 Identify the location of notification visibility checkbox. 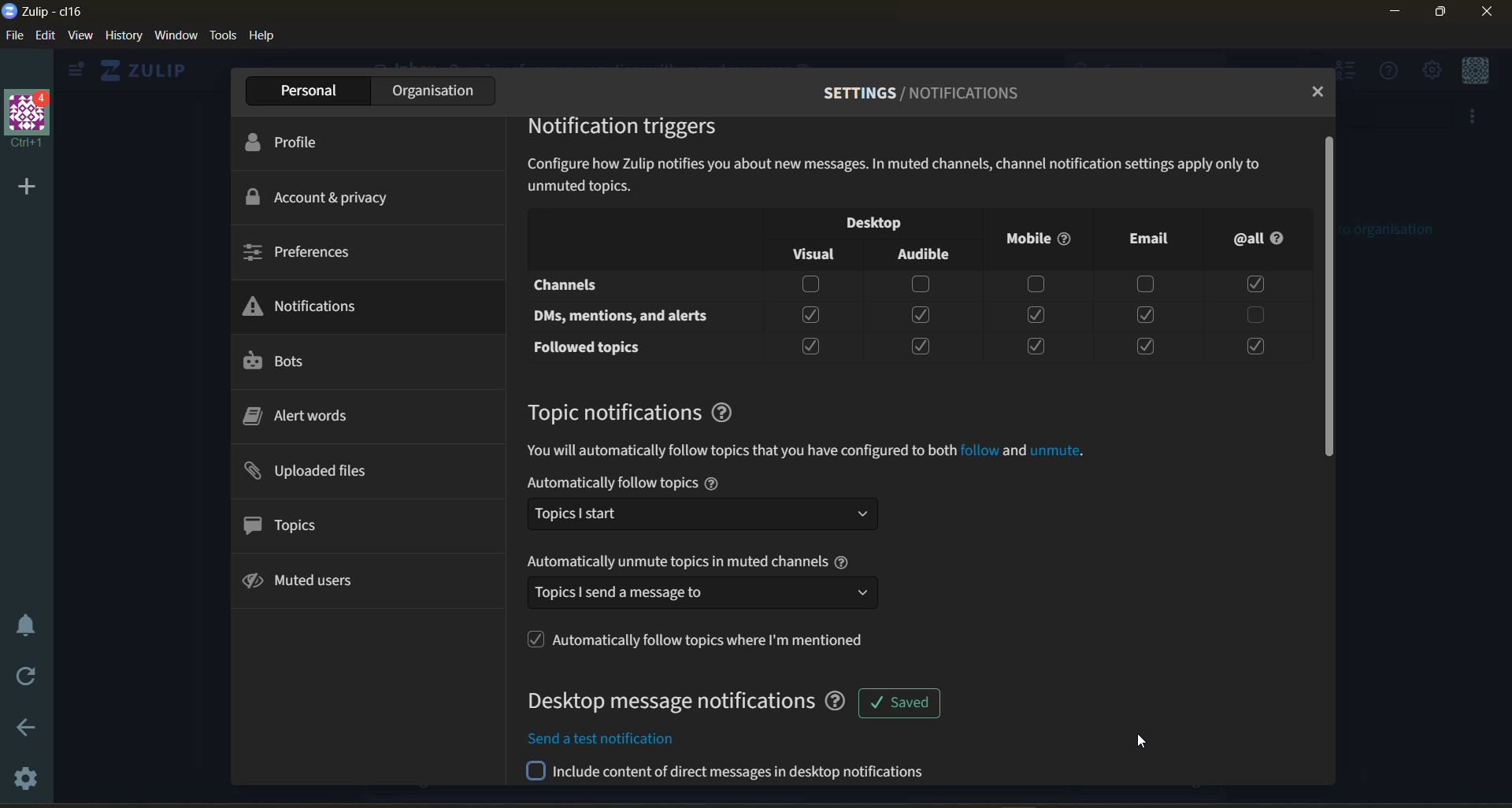
(876, 221).